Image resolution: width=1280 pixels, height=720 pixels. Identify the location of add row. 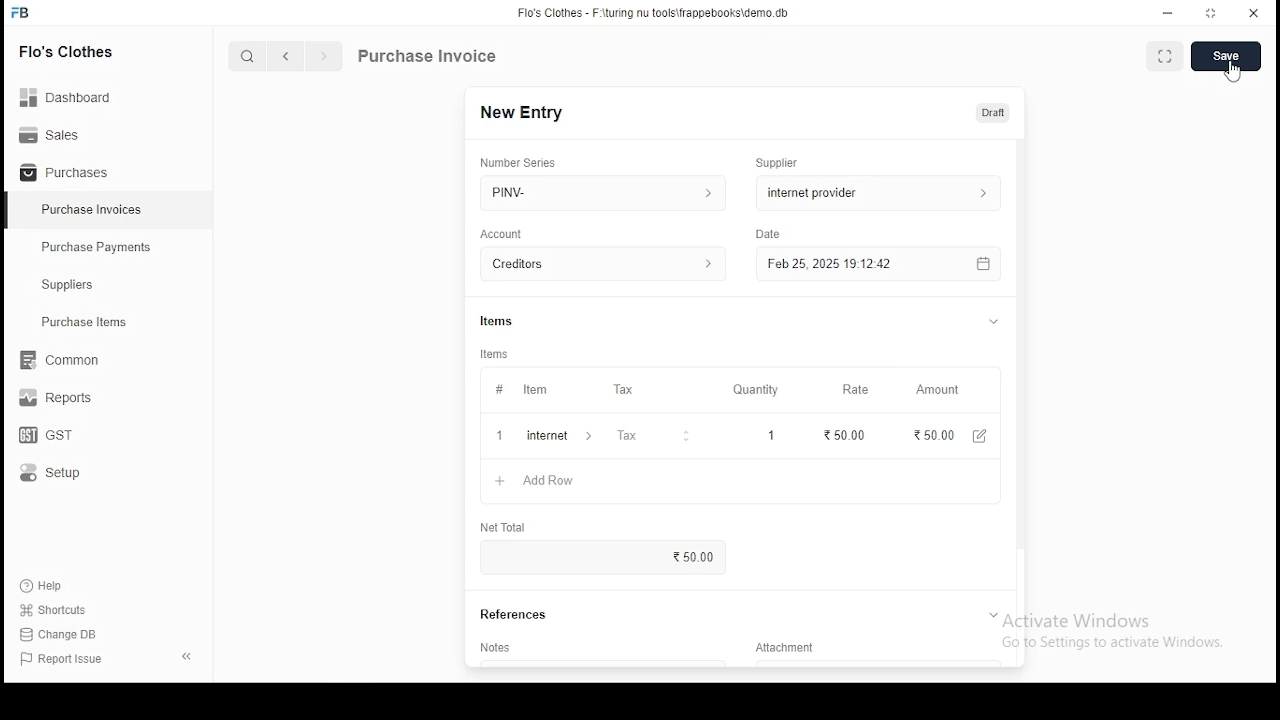
(551, 436).